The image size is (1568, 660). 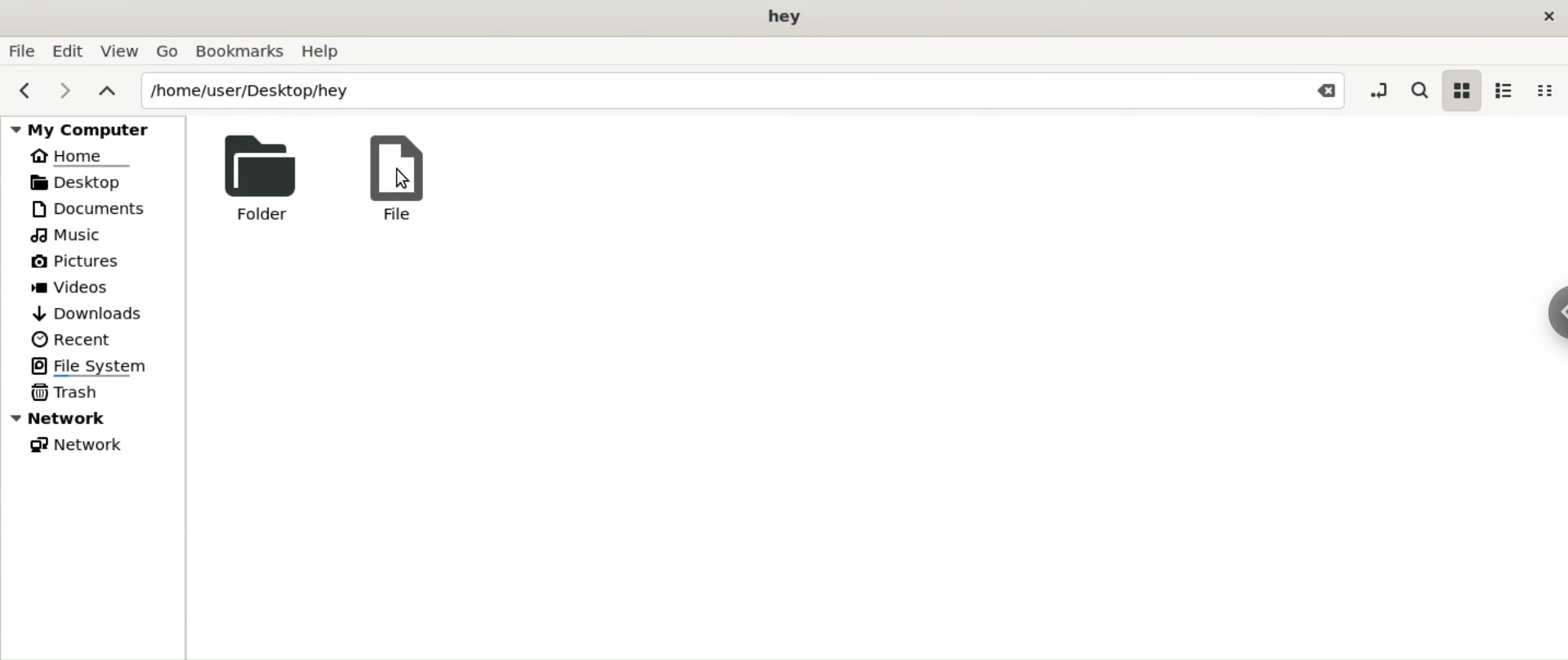 What do you see at coordinates (171, 52) in the screenshot?
I see `Go ` at bounding box center [171, 52].